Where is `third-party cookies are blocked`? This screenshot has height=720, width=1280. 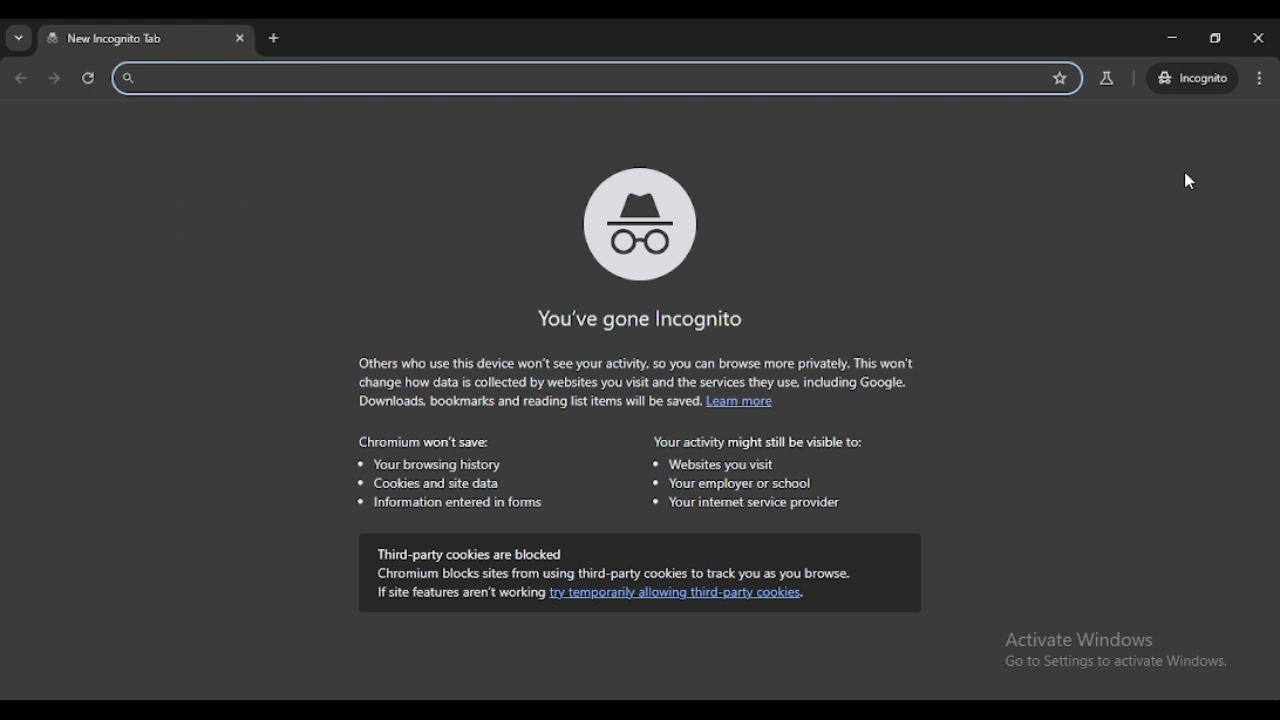
third-party cookies are blocked is located at coordinates (639, 574).